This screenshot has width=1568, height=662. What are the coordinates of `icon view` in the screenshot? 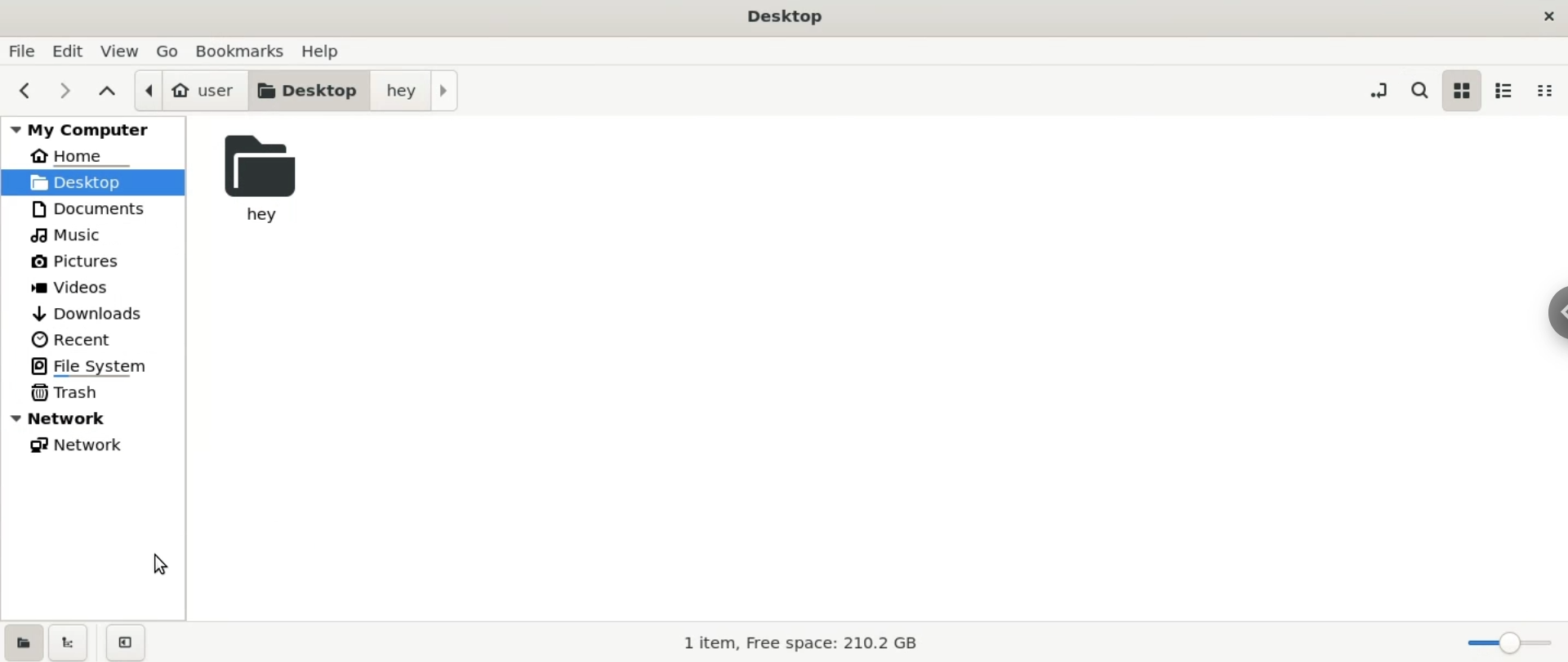 It's located at (1463, 89).